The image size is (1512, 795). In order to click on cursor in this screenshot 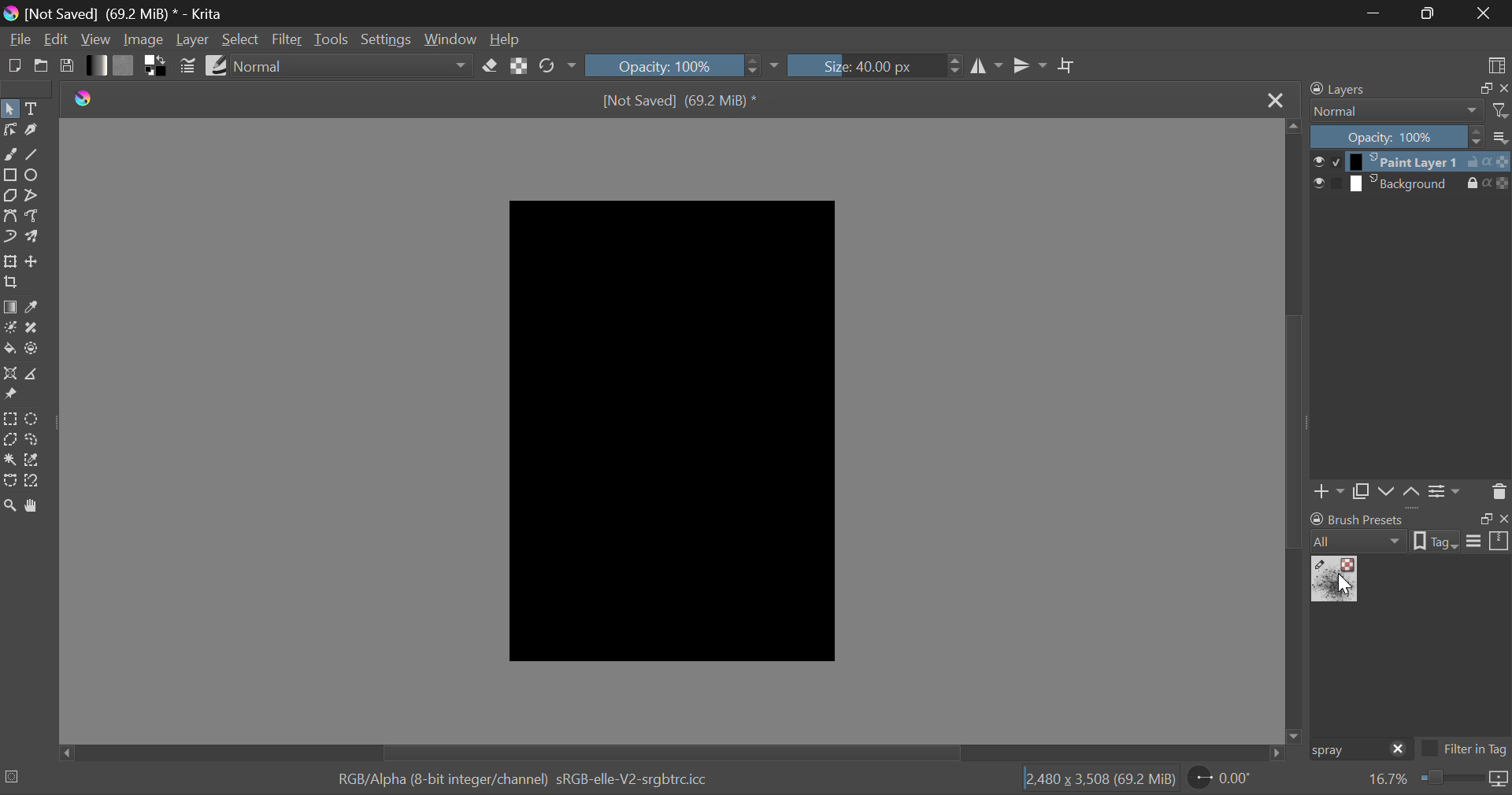, I will do `click(1346, 586)`.